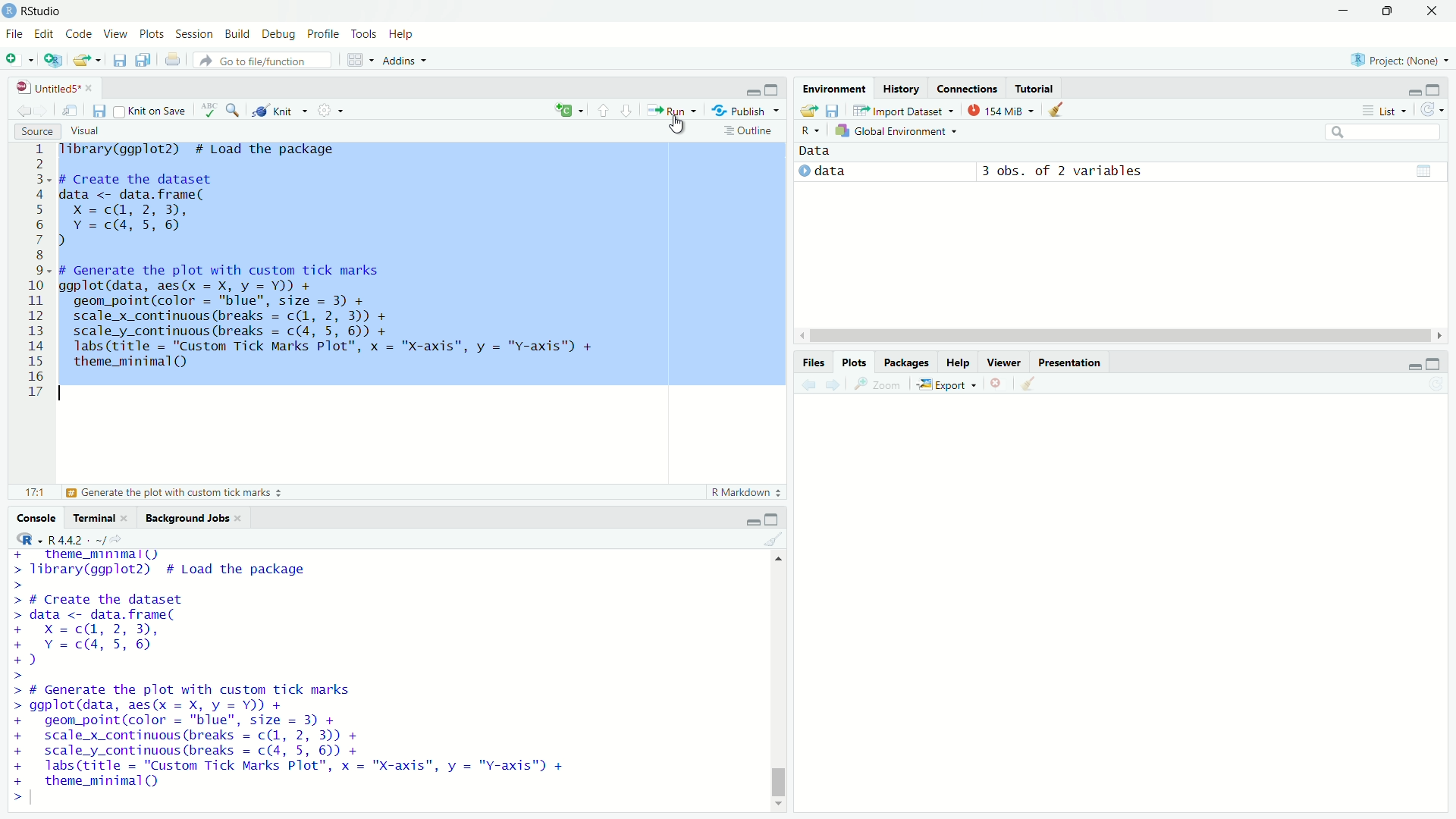 The height and width of the screenshot is (819, 1456). I want to click on remove the current plot, so click(998, 384).